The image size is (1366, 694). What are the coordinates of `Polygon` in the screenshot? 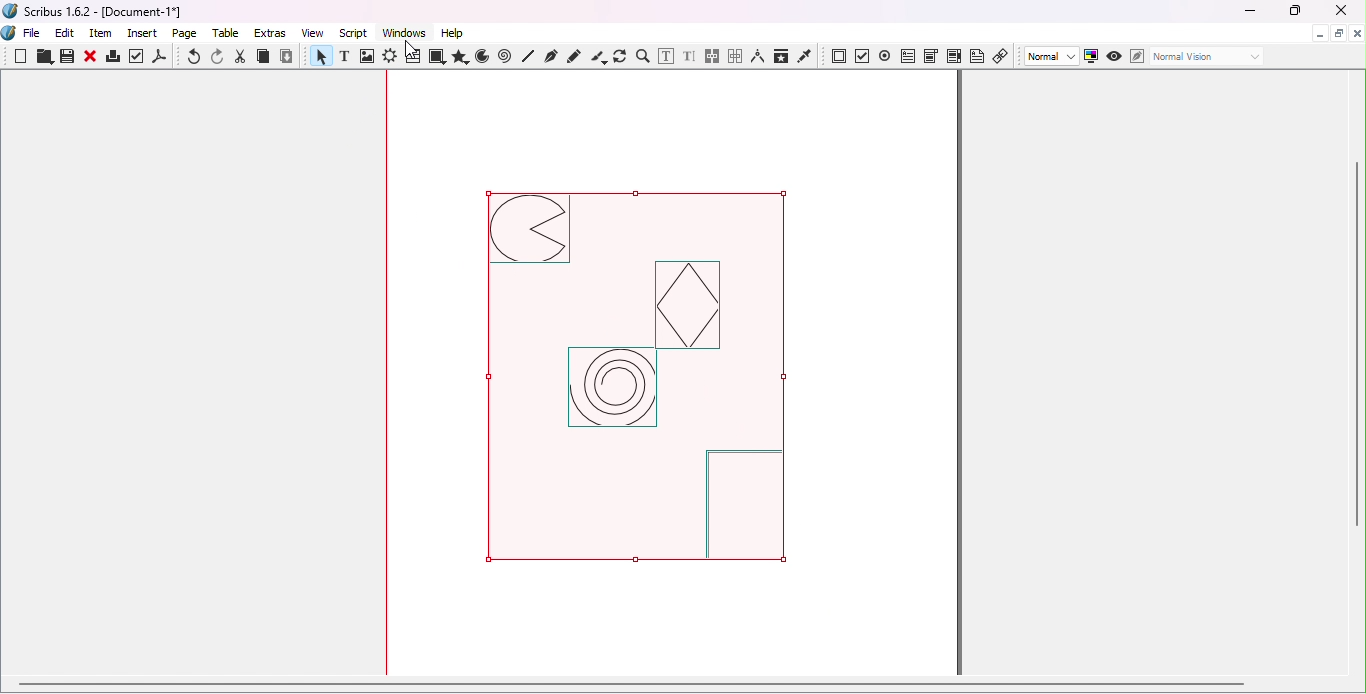 It's located at (458, 57).